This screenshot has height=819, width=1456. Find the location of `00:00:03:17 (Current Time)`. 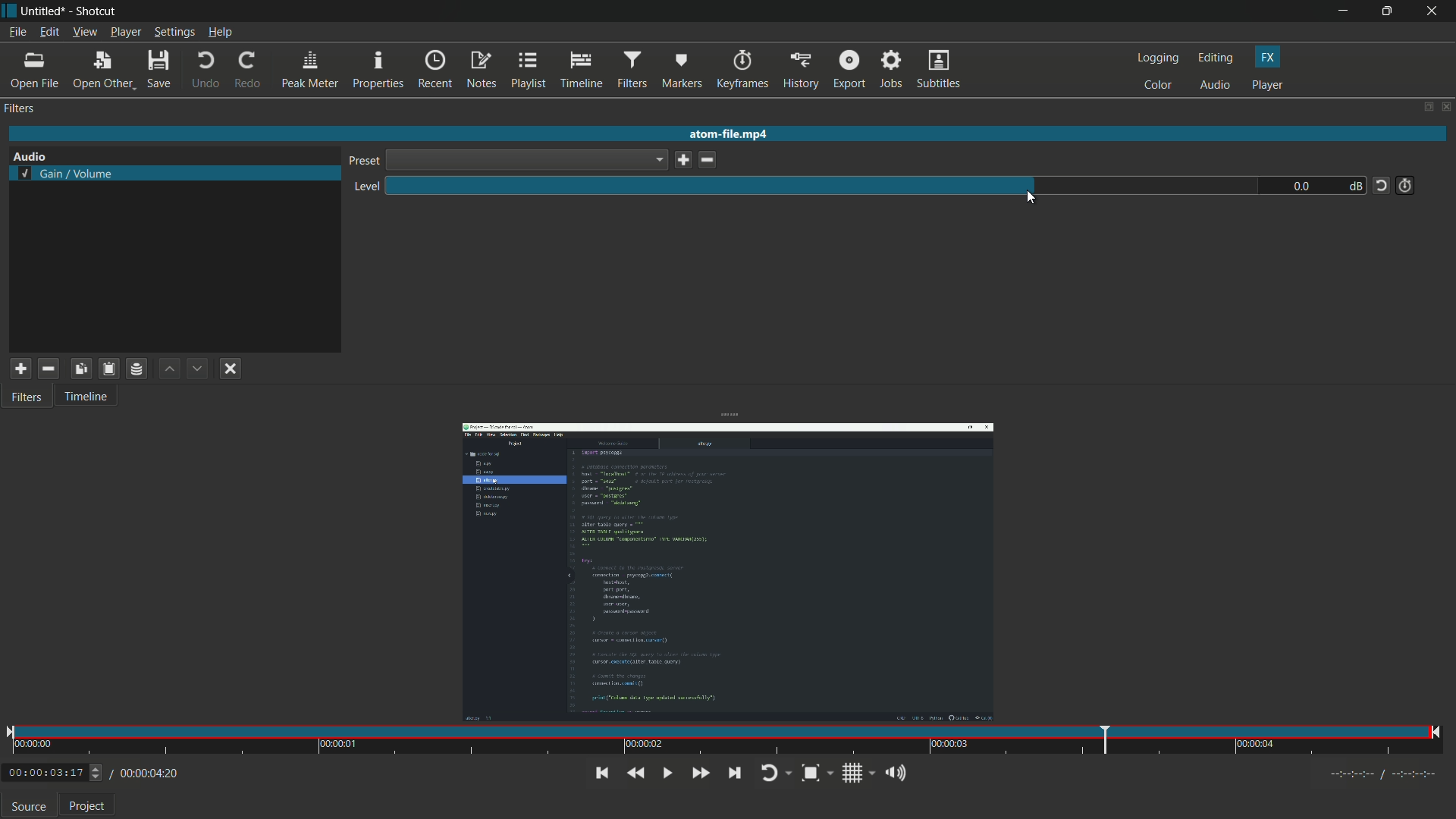

00:00:03:17 (Current Time) is located at coordinates (55, 773).